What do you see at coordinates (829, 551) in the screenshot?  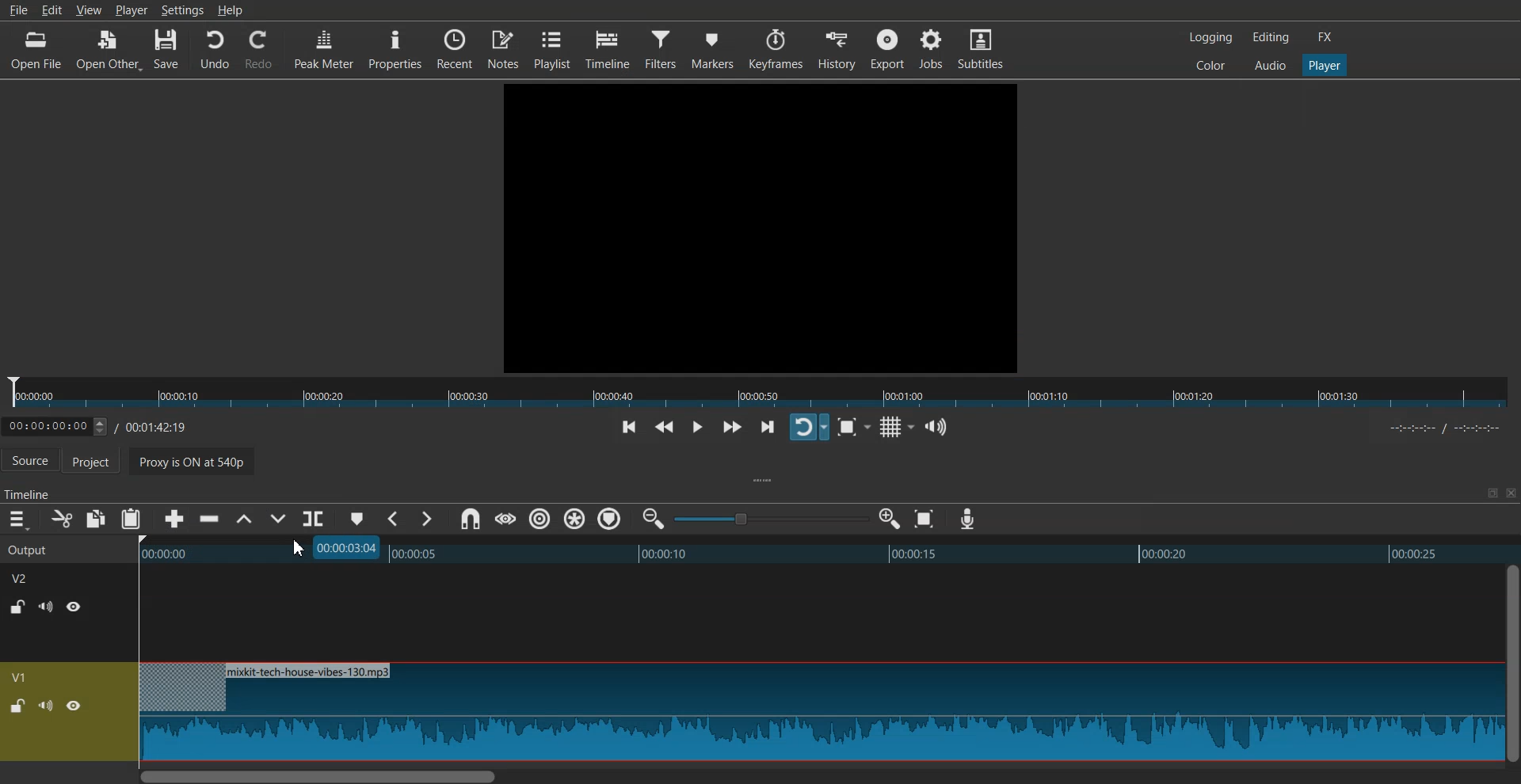 I see `Timeline preview` at bounding box center [829, 551].